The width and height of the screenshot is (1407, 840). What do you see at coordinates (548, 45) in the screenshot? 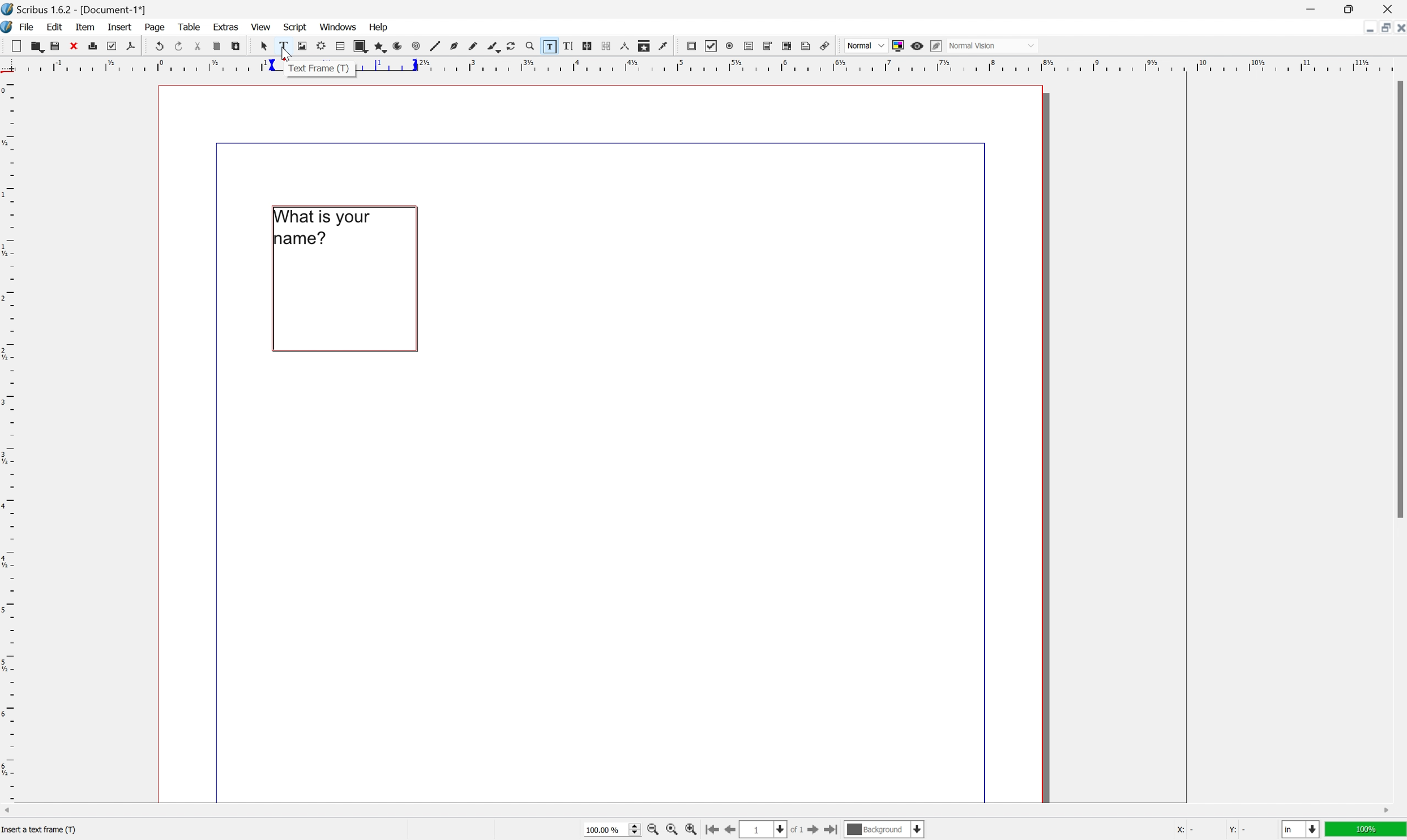
I see `edit contents of frame` at bounding box center [548, 45].